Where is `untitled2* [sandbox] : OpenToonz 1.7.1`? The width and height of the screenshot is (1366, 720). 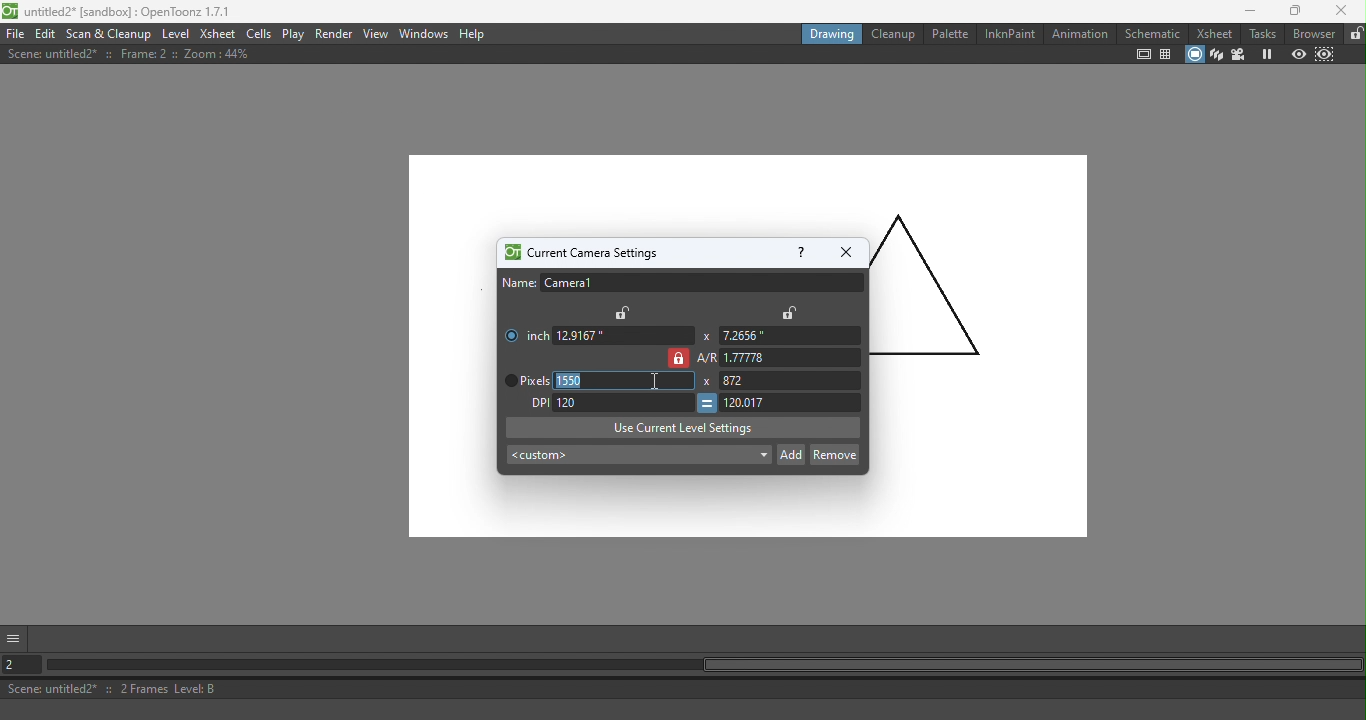 untitled2* [sandbox] : OpenToonz 1.7.1 is located at coordinates (120, 11).